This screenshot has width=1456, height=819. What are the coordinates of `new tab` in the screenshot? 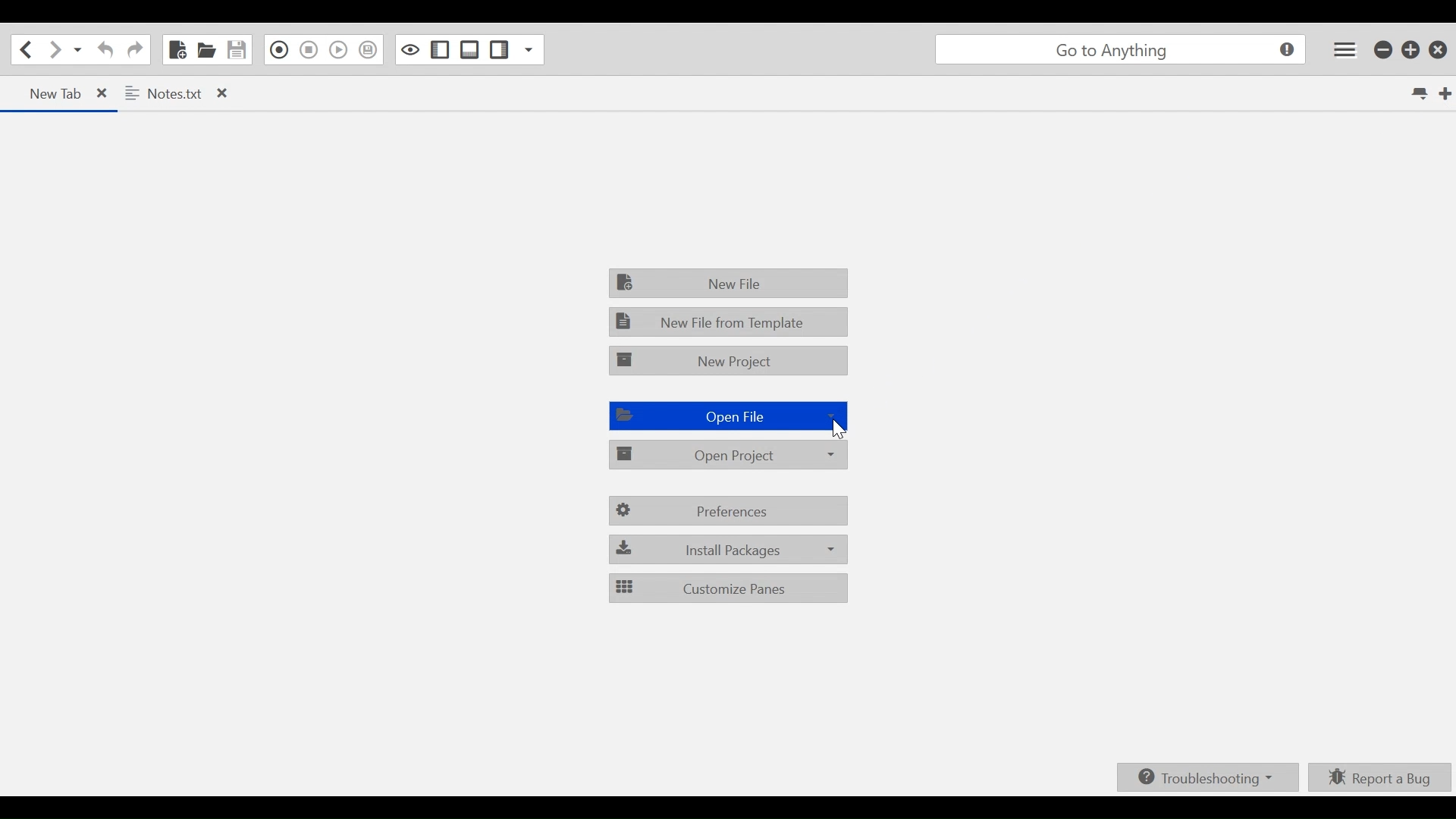 It's located at (48, 94).